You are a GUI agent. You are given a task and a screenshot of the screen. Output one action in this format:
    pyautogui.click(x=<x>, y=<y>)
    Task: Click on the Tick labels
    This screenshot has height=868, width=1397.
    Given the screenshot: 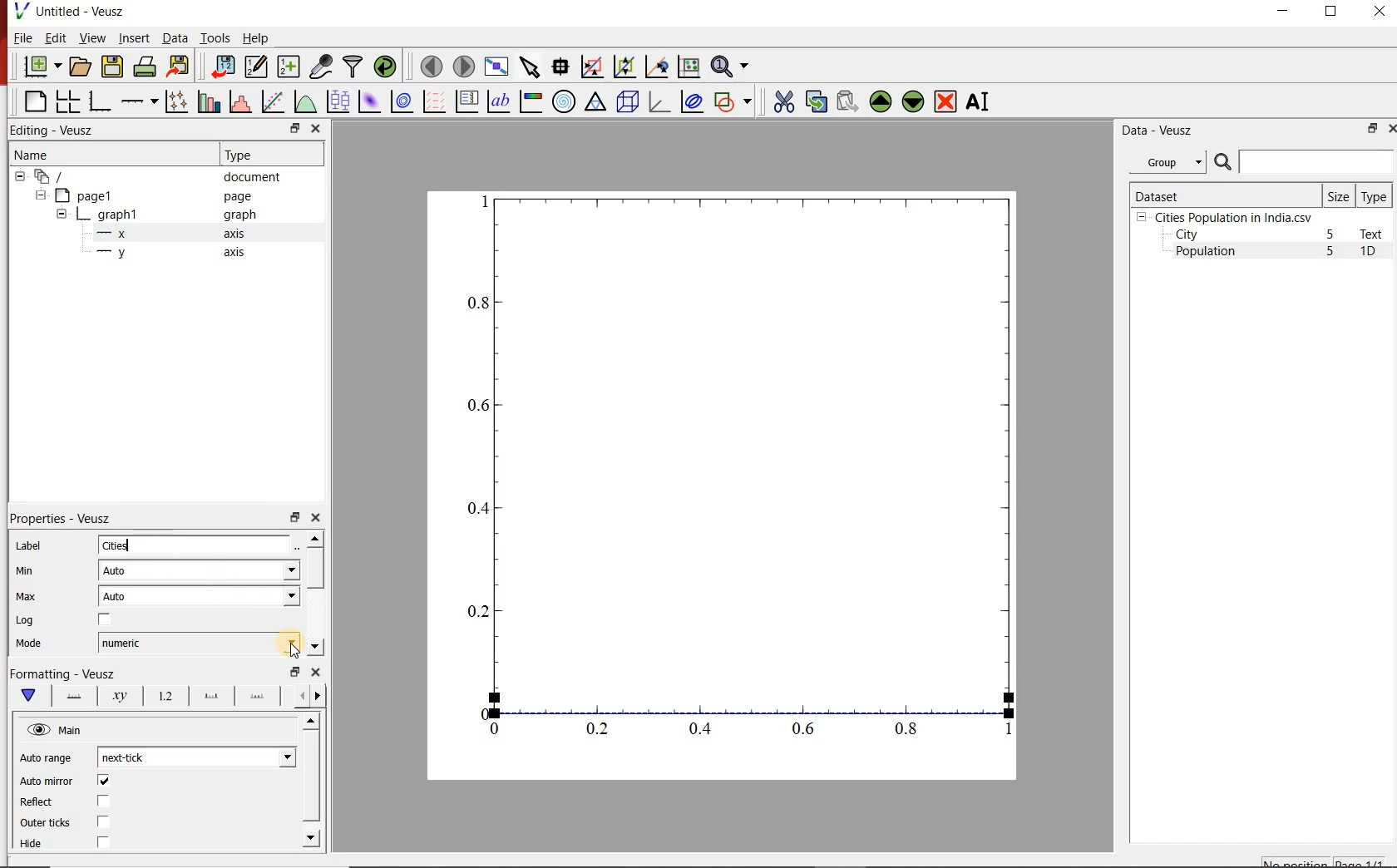 What is the action you would take?
    pyautogui.click(x=161, y=698)
    